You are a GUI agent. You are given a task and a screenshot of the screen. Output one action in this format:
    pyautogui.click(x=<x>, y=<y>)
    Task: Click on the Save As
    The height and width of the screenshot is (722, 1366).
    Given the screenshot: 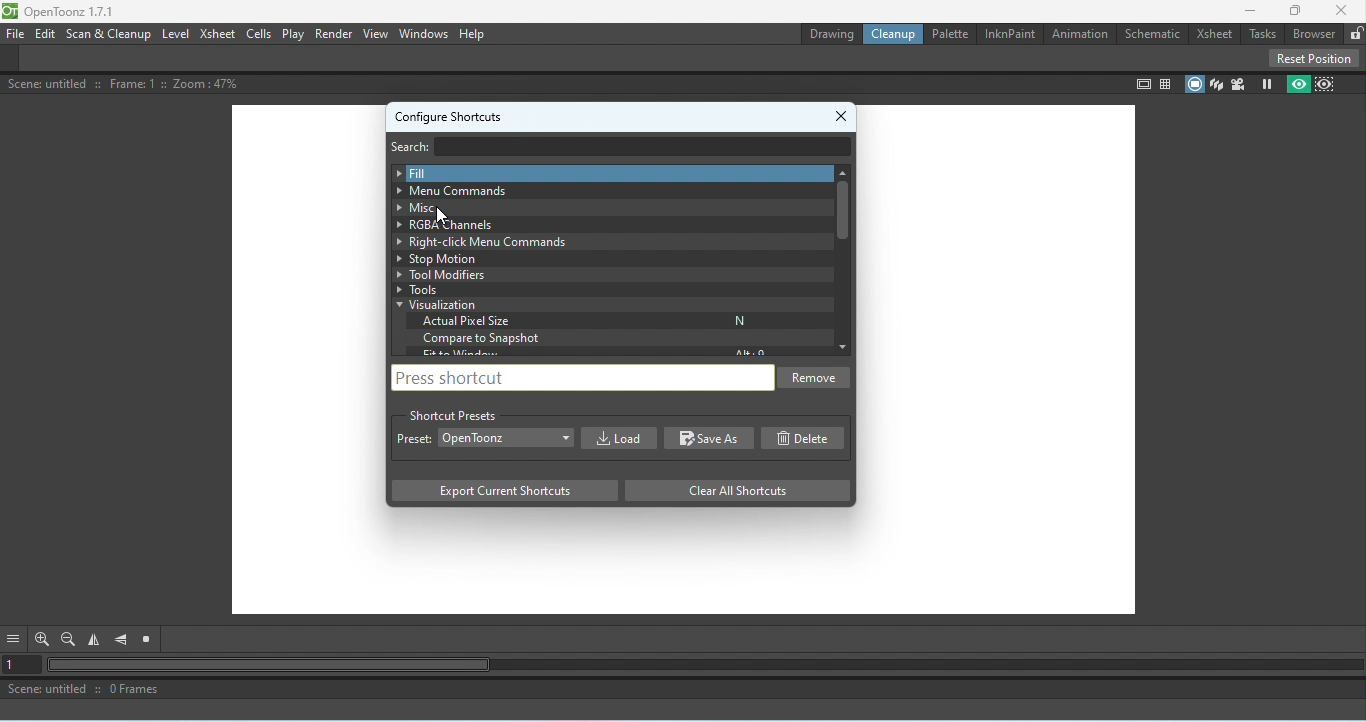 What is the action you would take?
    pyautogui.click(x=710, y=439)
    